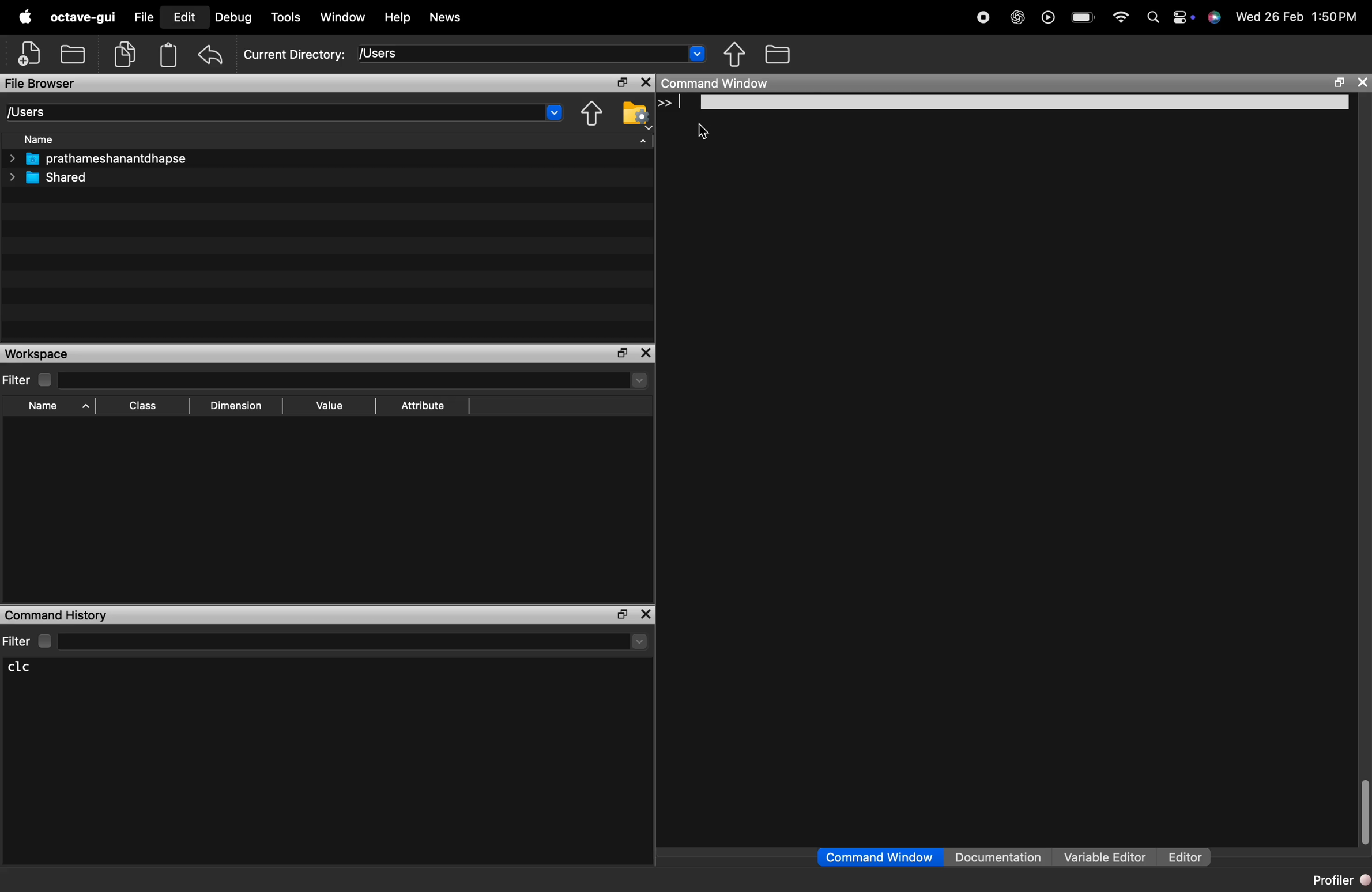 This screenshot has width=1372, height=892. Describe the element at coordinates (706, 134) in the screenshot. I see `Cursor` at that location.